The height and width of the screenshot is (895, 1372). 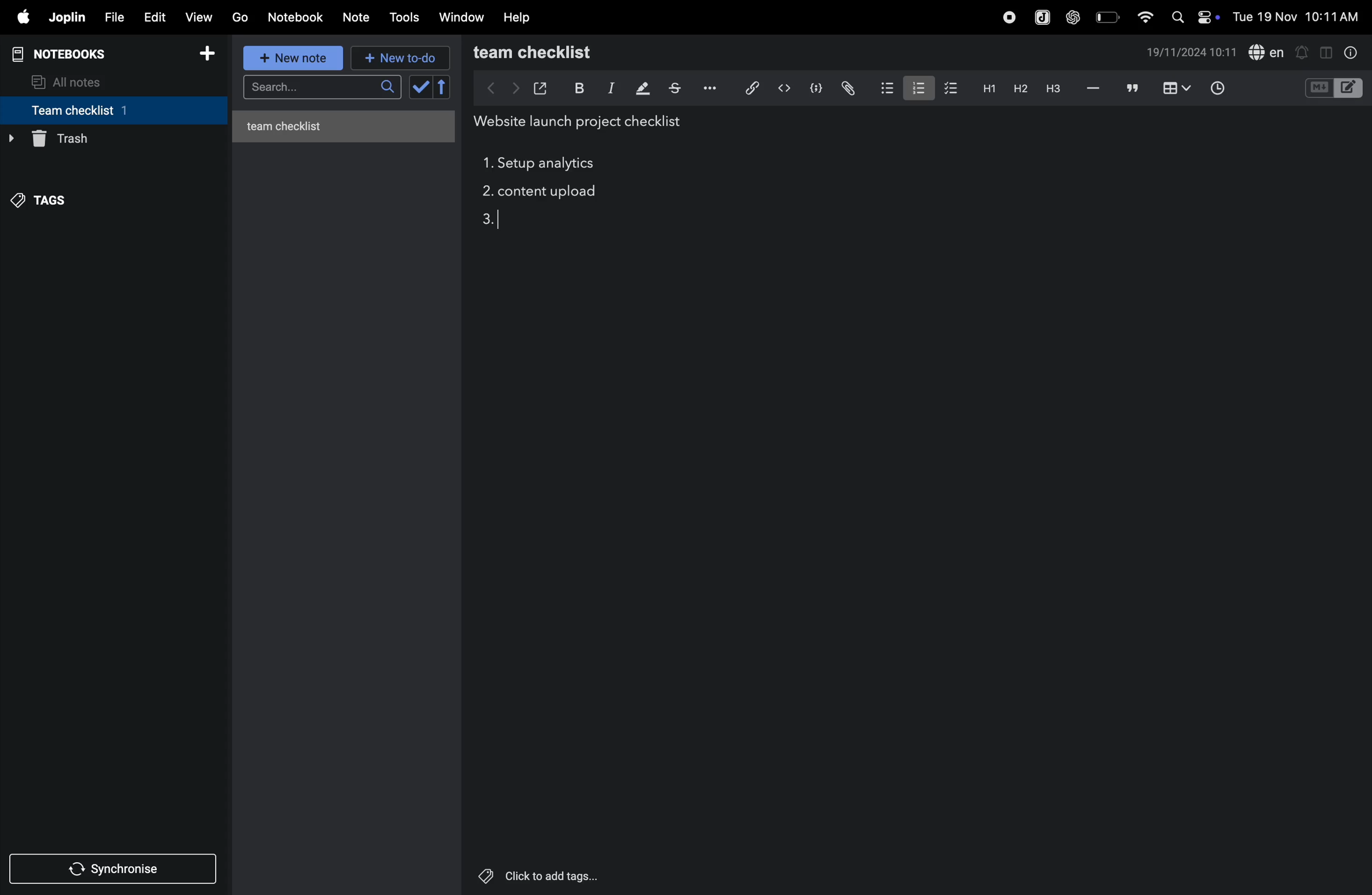 What do you see at coordinates (884, 88) in the screenshot?
I see `bullet list` at bounding box center [884, 88].